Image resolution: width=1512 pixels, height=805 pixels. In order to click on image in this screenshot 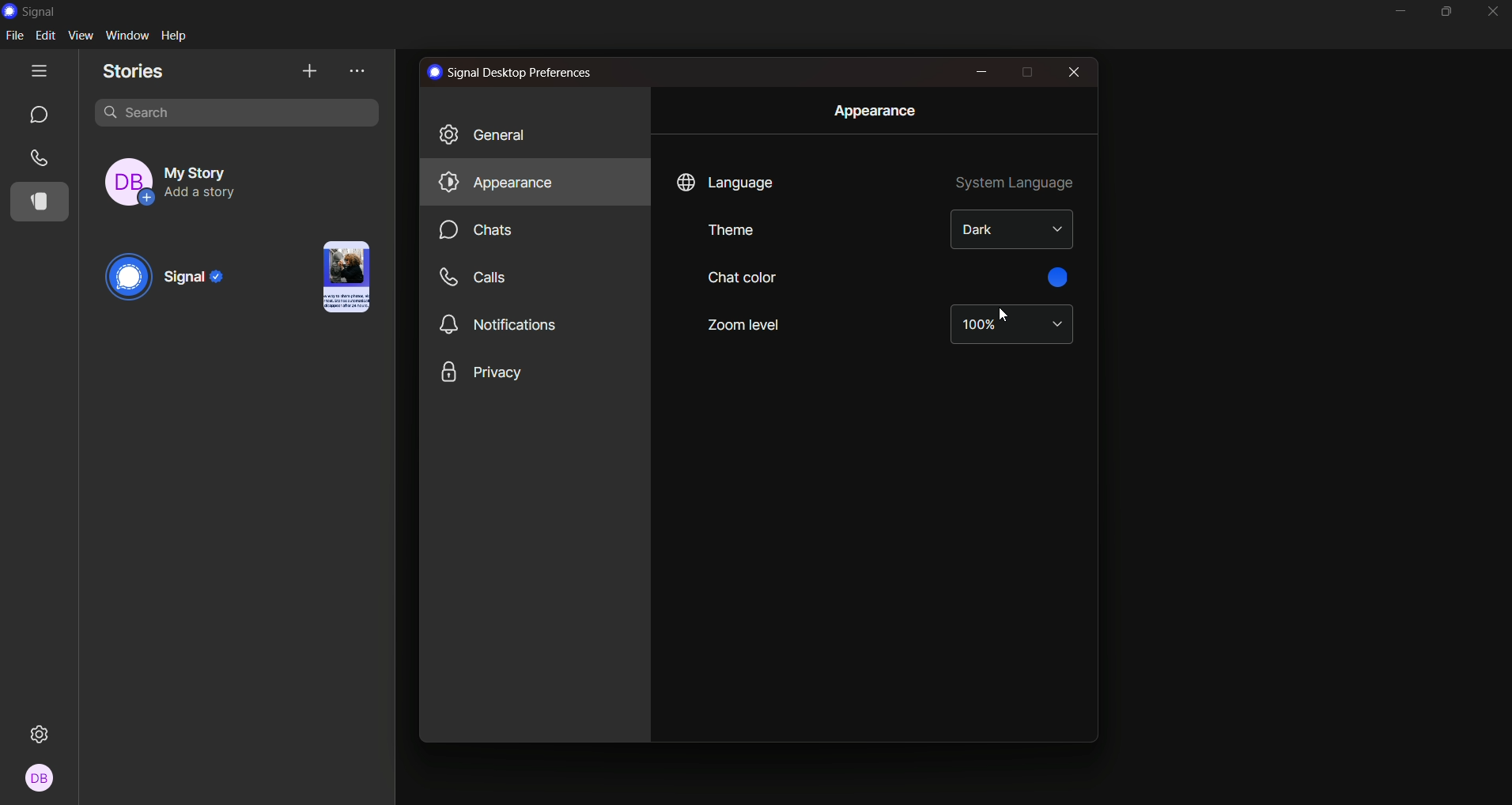, I will do `click(342, 276)`.